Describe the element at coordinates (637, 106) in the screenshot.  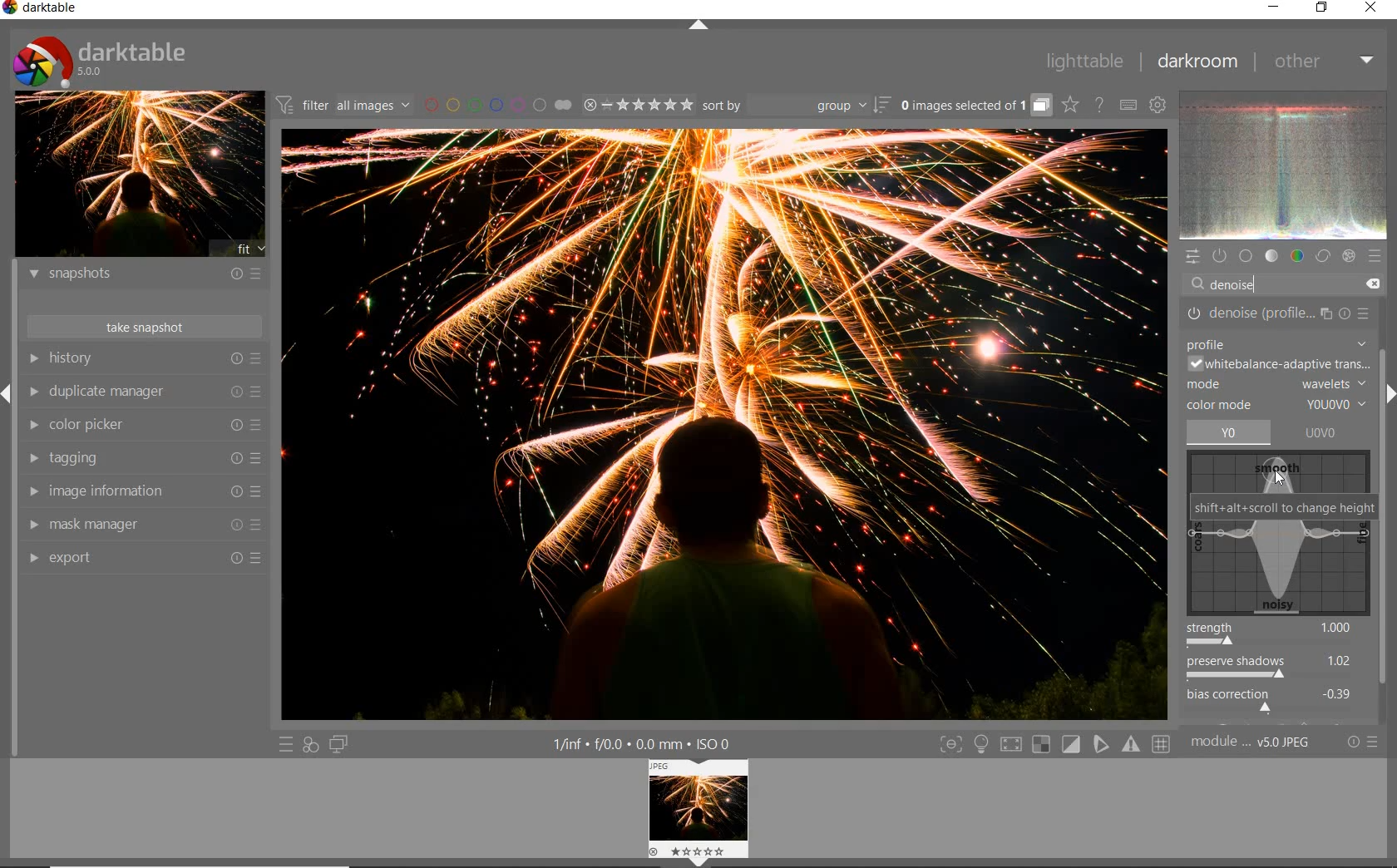
I see `range ratings for selected images` at that location.